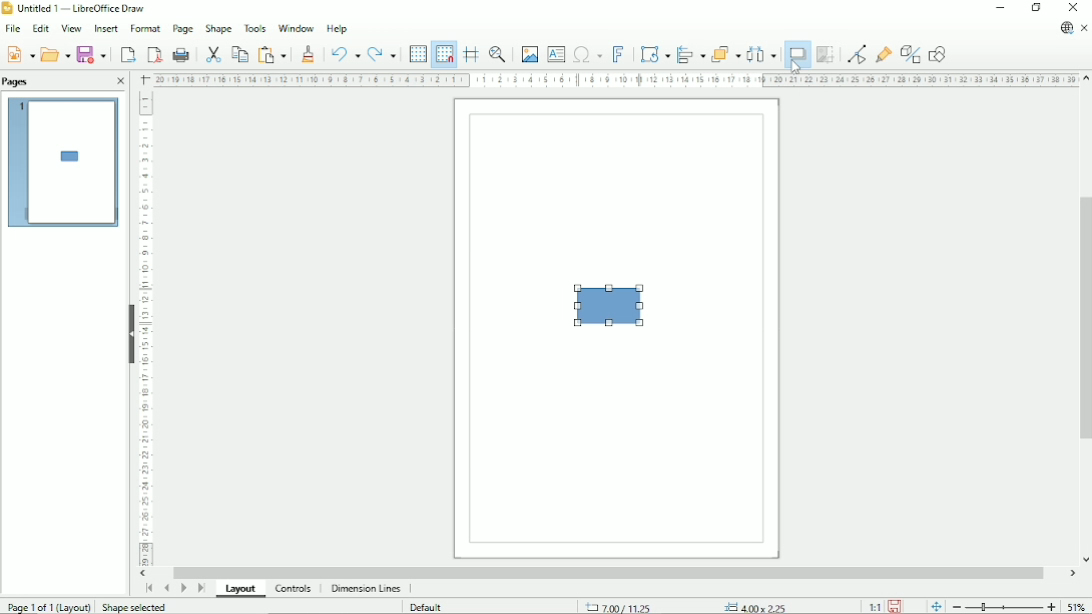 Image resolution: width=1092 pixels, height=614 pixels. Describe the element at coordinates (20, 55) in the screenshot. I see `New` at that location.